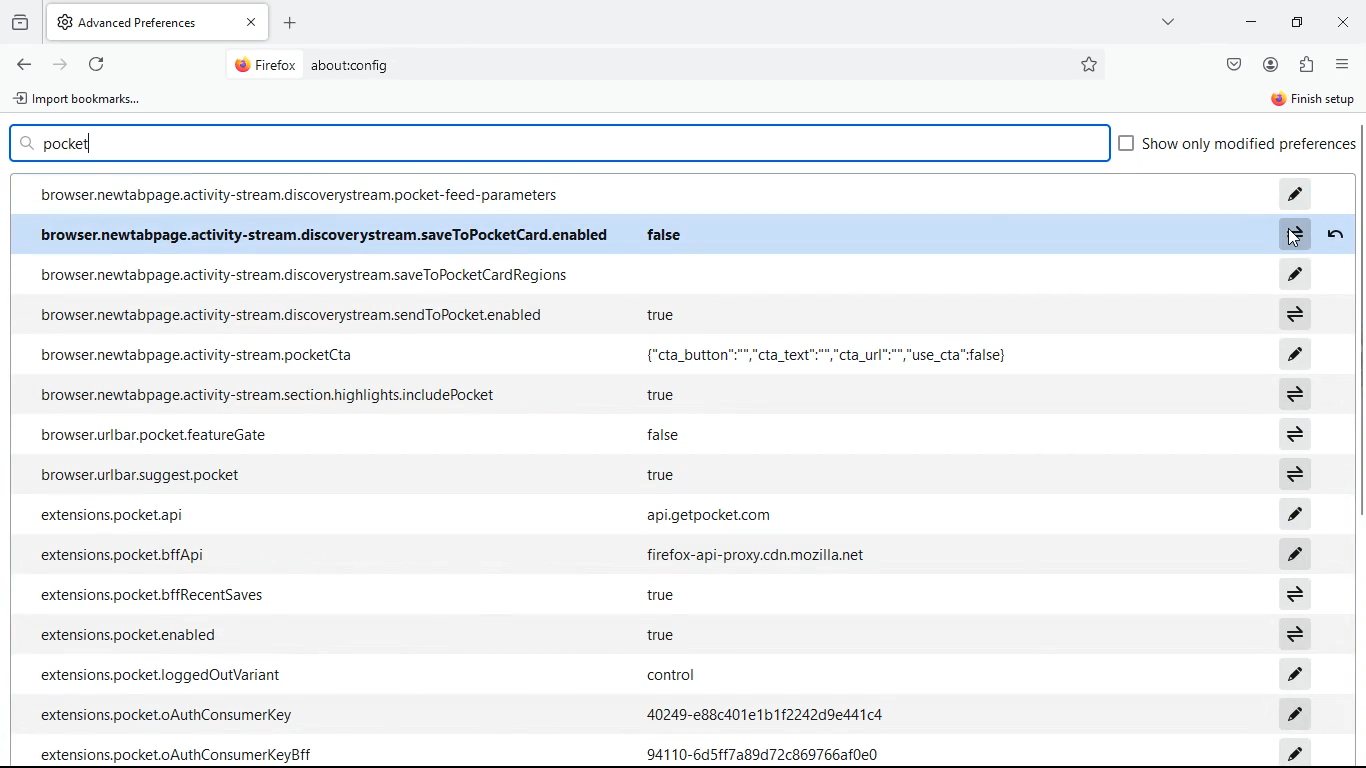  Describe the element at coordinates (1295, 237) in the screenshot. I see `Cursor` at that location.